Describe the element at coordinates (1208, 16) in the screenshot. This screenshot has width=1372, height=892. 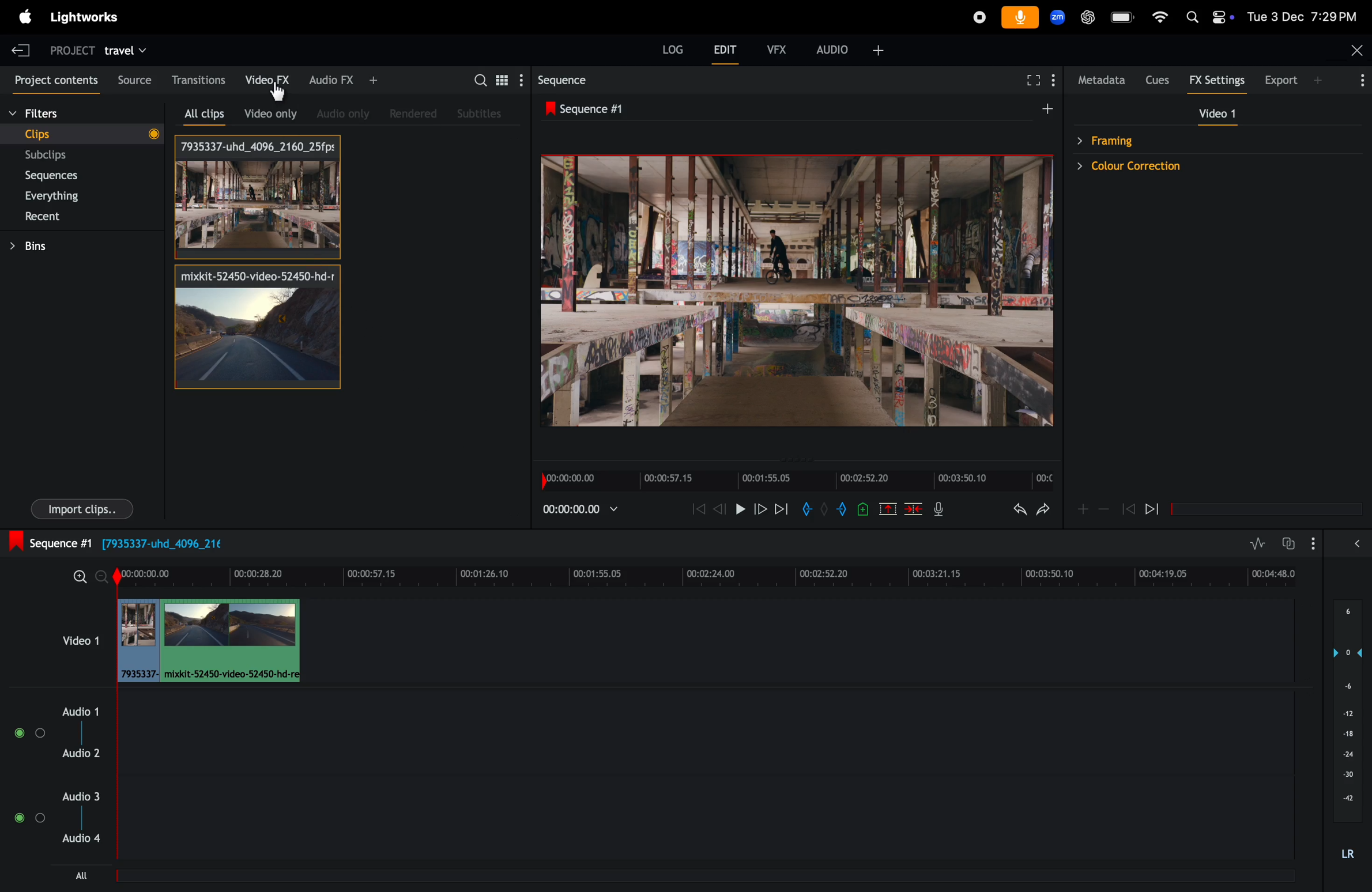
I see `apple widgets` at that location.